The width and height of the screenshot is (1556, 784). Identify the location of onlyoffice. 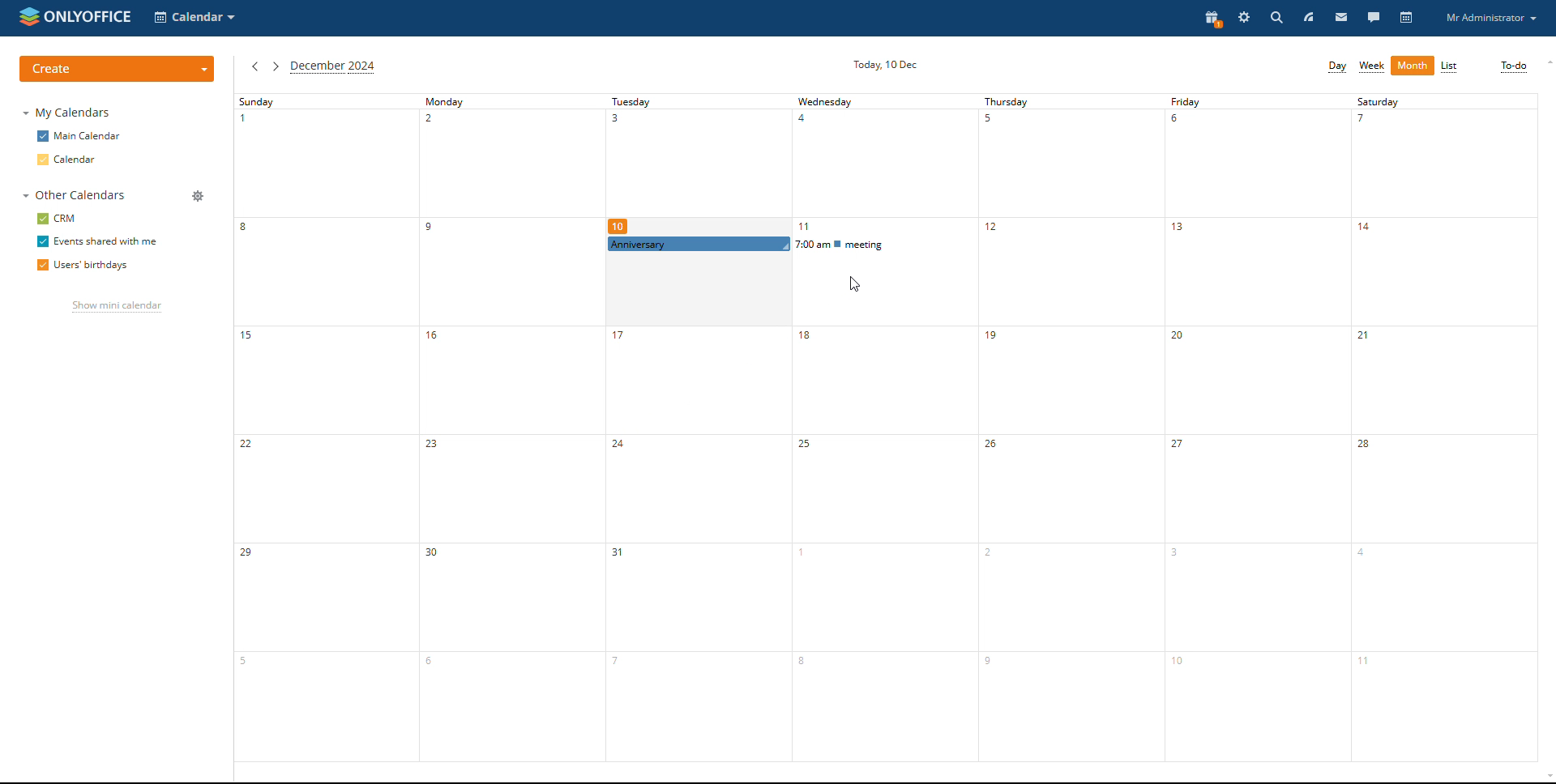
(89, 15).